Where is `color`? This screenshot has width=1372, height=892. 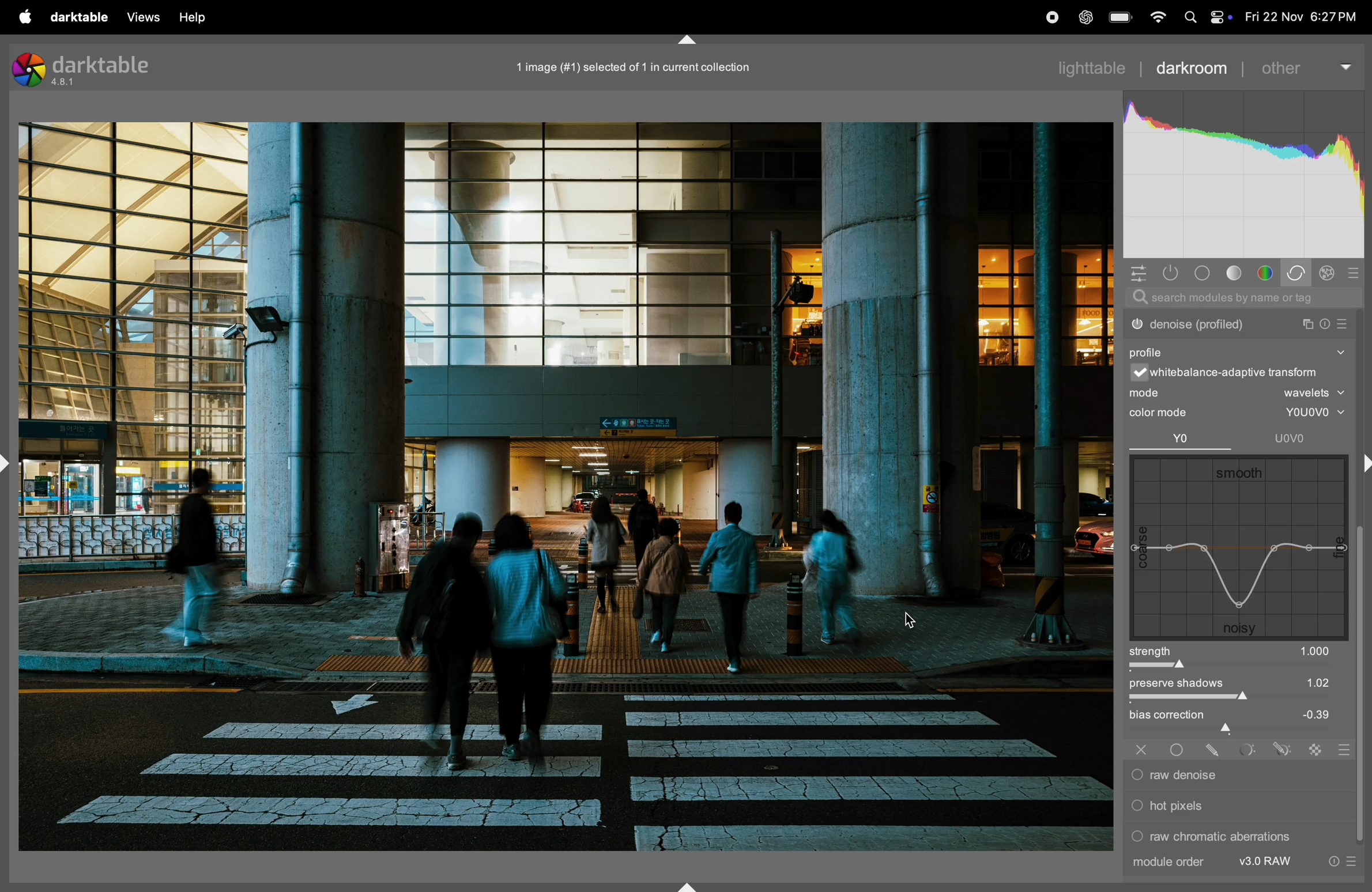 color is located at coordinates (1265, 272).